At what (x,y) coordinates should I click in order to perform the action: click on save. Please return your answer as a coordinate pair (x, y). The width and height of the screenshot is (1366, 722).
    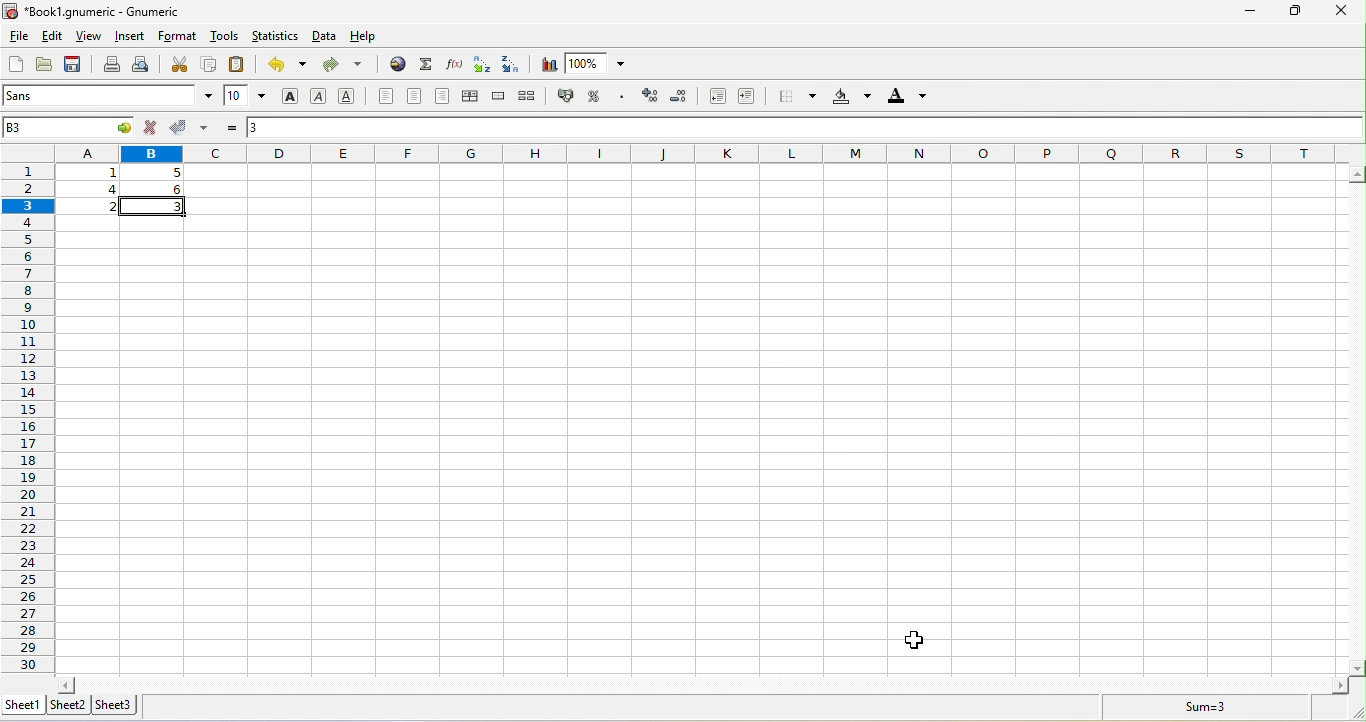
    Looking at the image, I should click on (77, 65).